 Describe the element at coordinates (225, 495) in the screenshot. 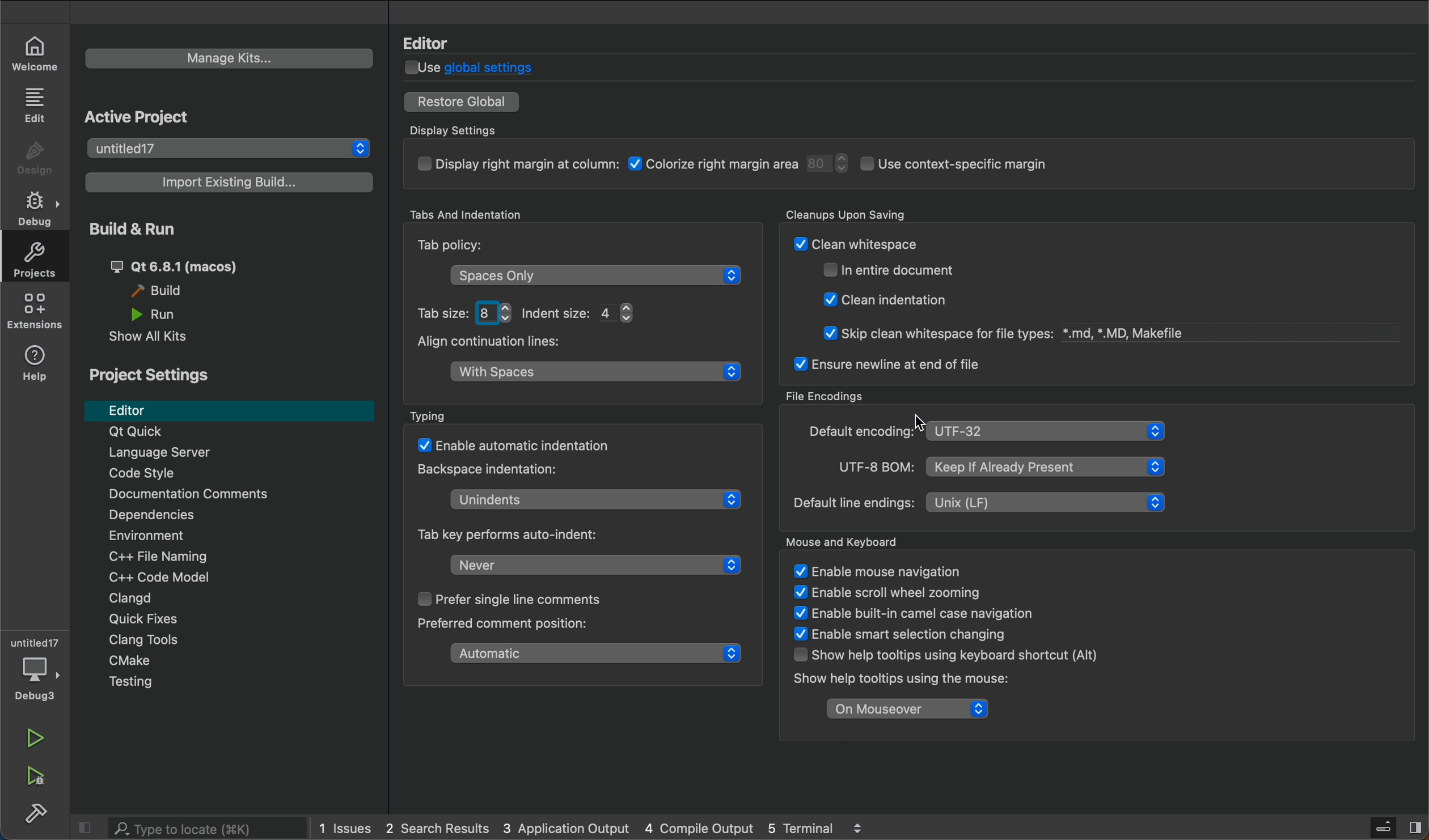

I see `Documentation comments` at that location.